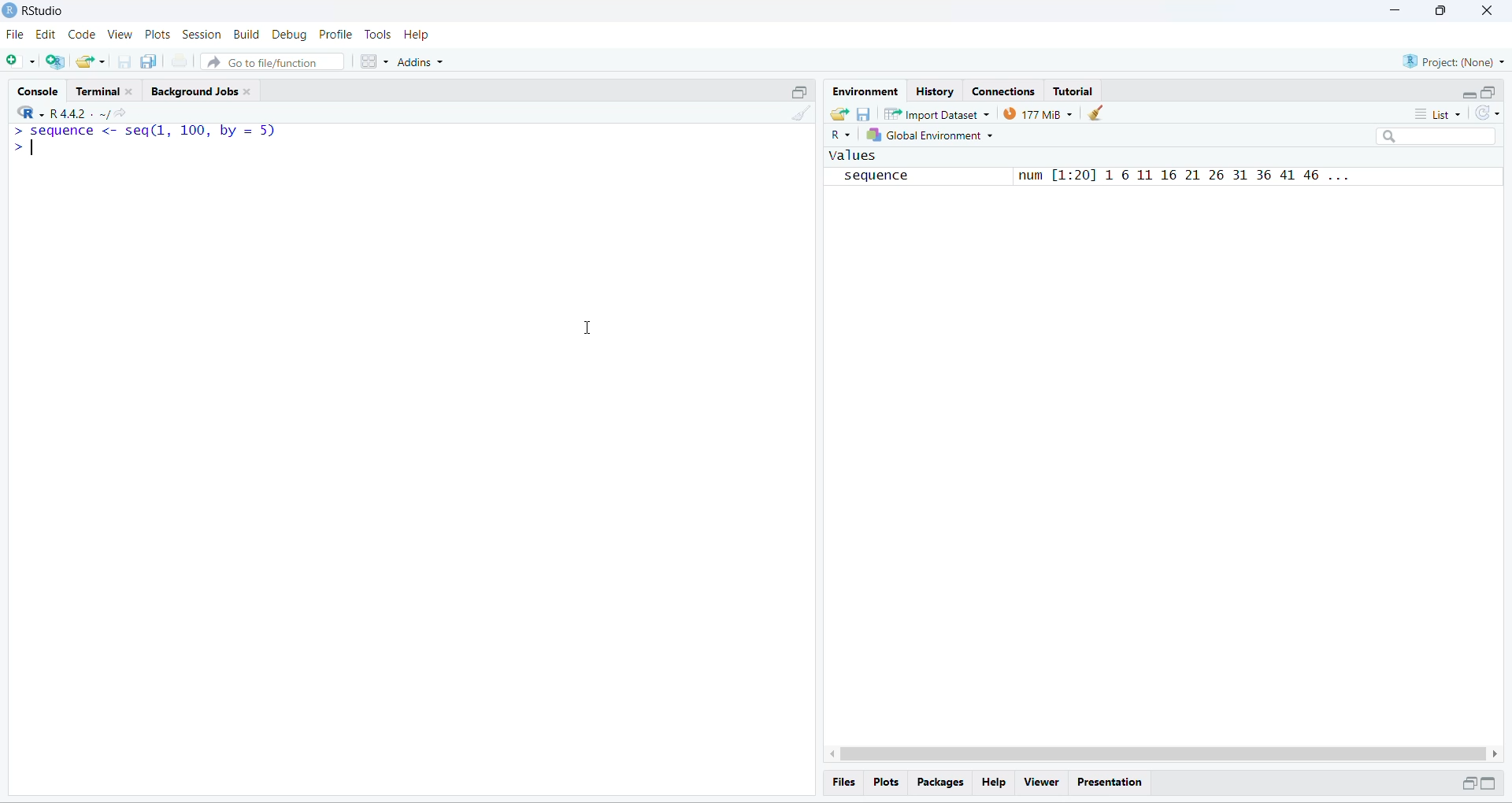 The height and width of the screenshot is (803, 1512). Describe the element at coordinates (1488, 113) in the screenshot. I see `sync` at that location.